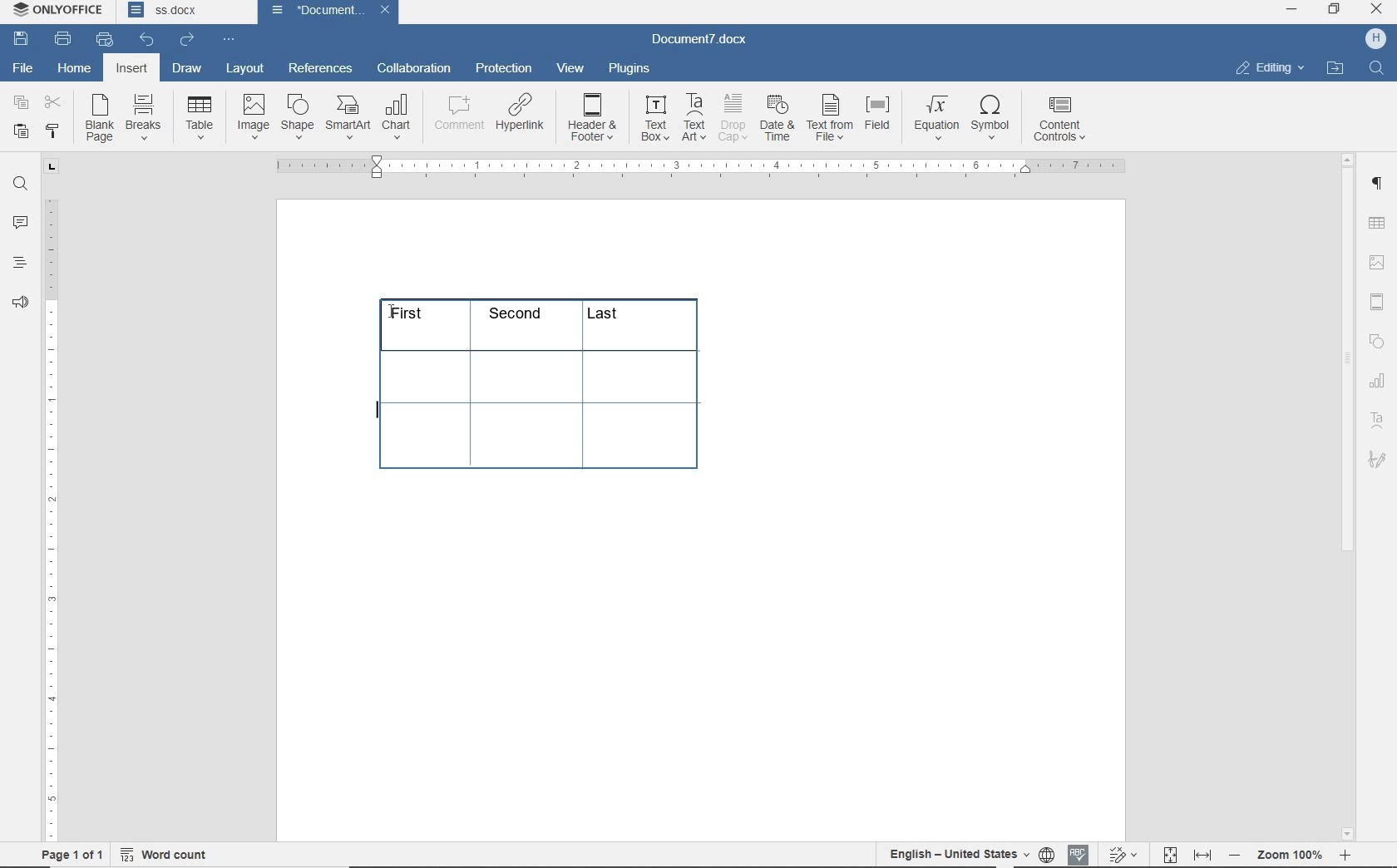 The image size is (1397, 868). Describe the element at coordinates (22, 223) in the screenshot. I see `comments` at that location.